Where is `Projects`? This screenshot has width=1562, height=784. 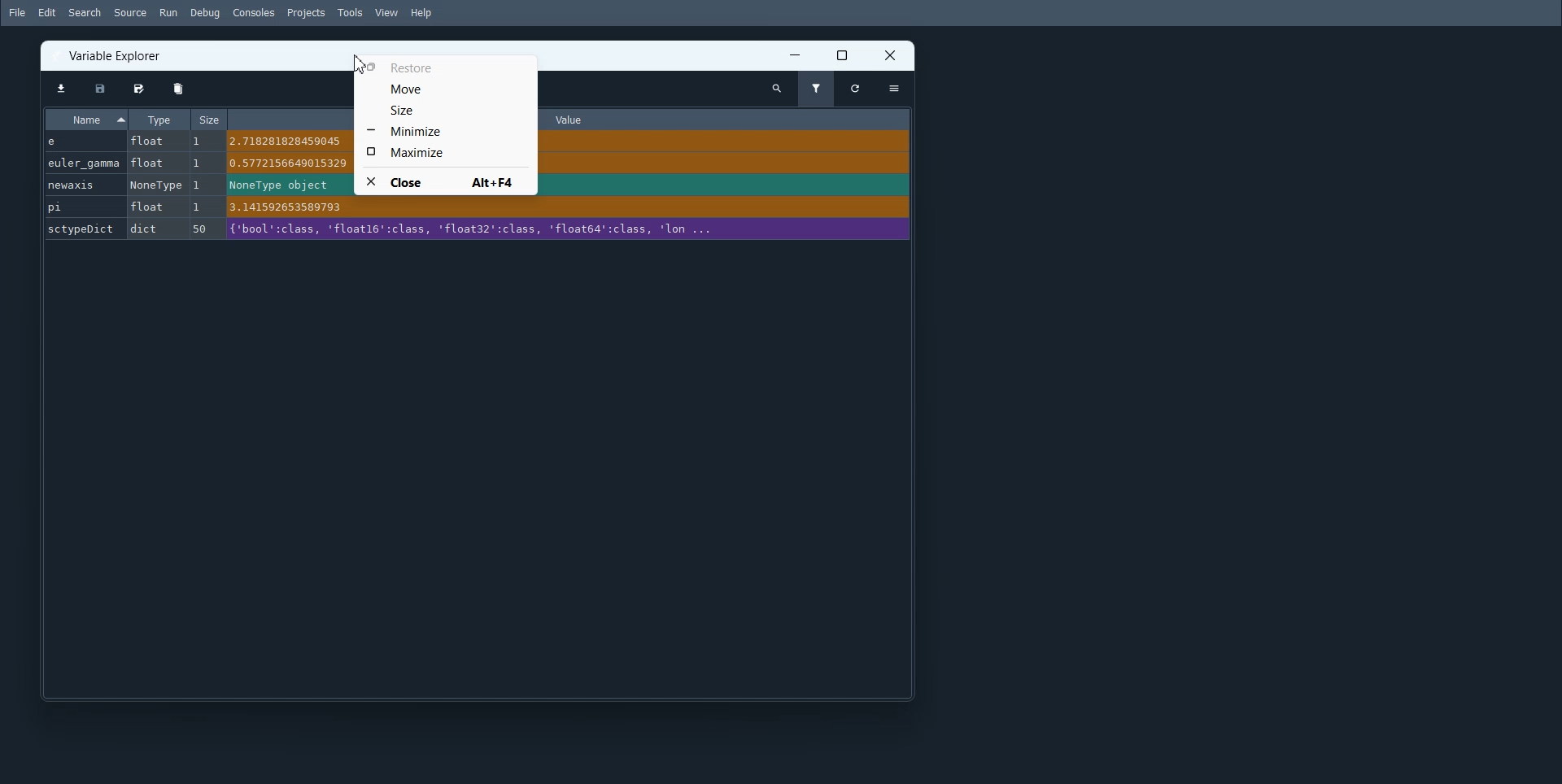
Projects is located at coordinates (306, 12).